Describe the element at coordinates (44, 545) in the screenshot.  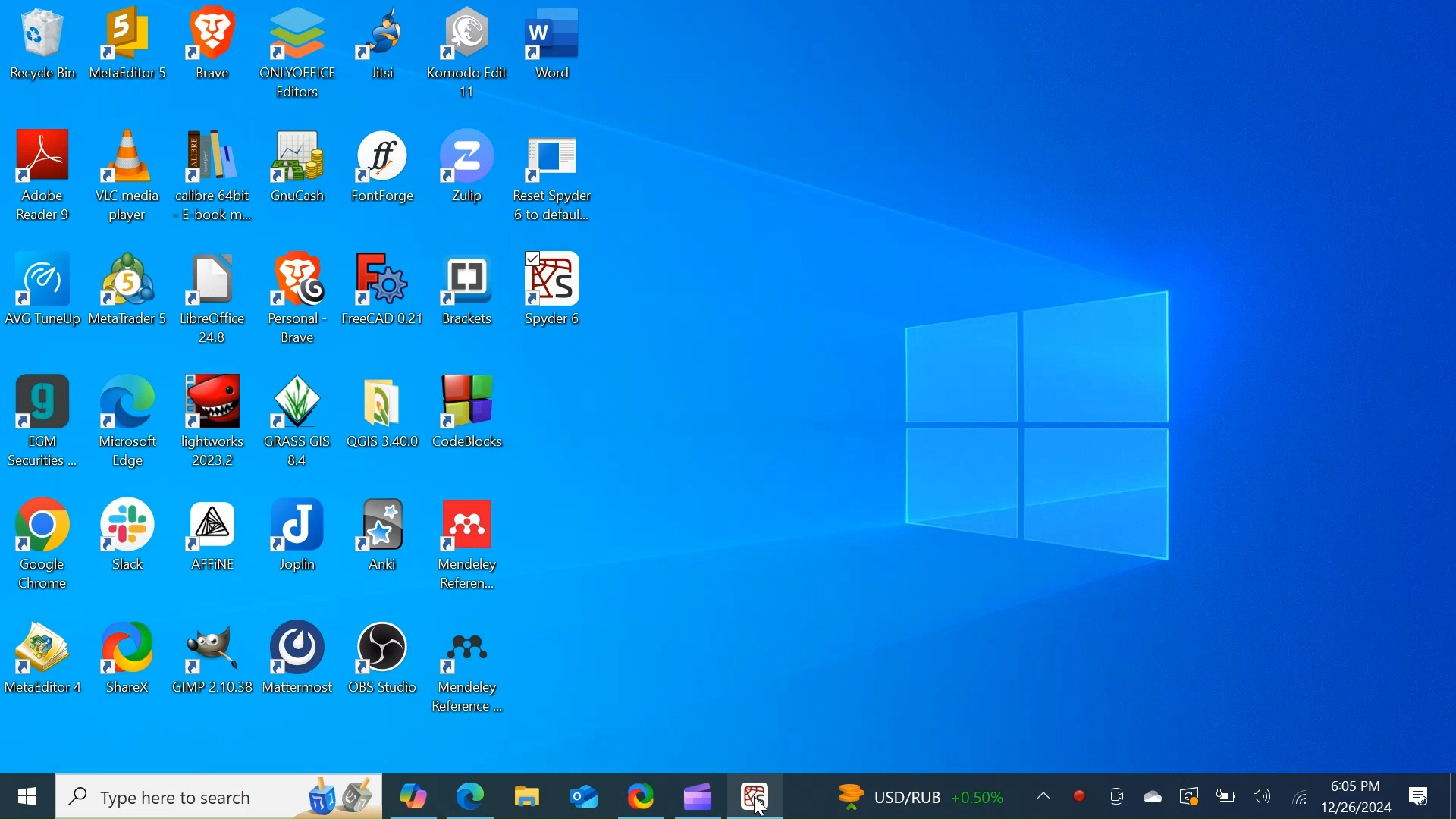
I see `Google Chrome Desktop Icon` at that location.